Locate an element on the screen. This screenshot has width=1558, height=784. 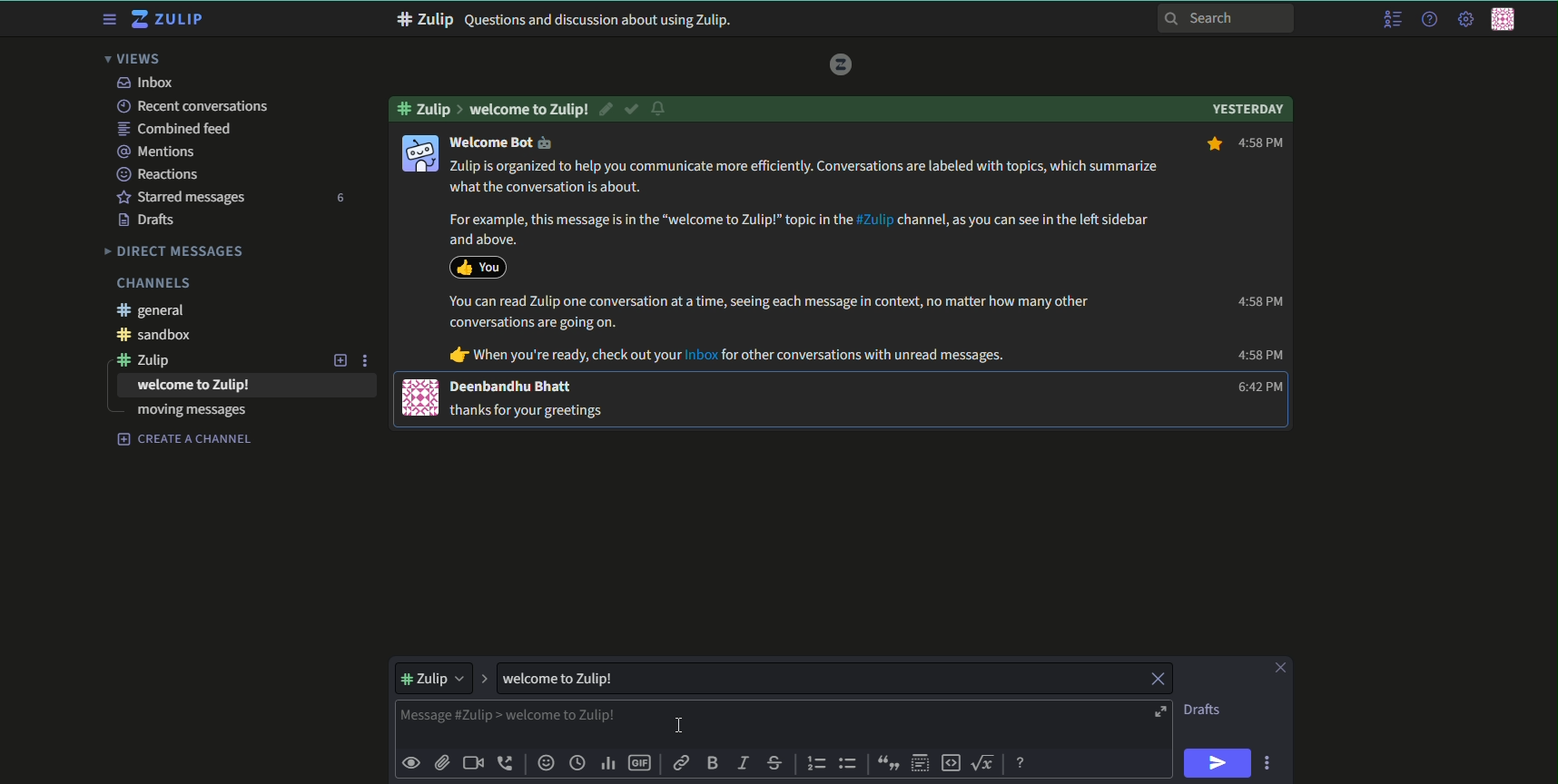
notification is located at coordinates (661, 110).